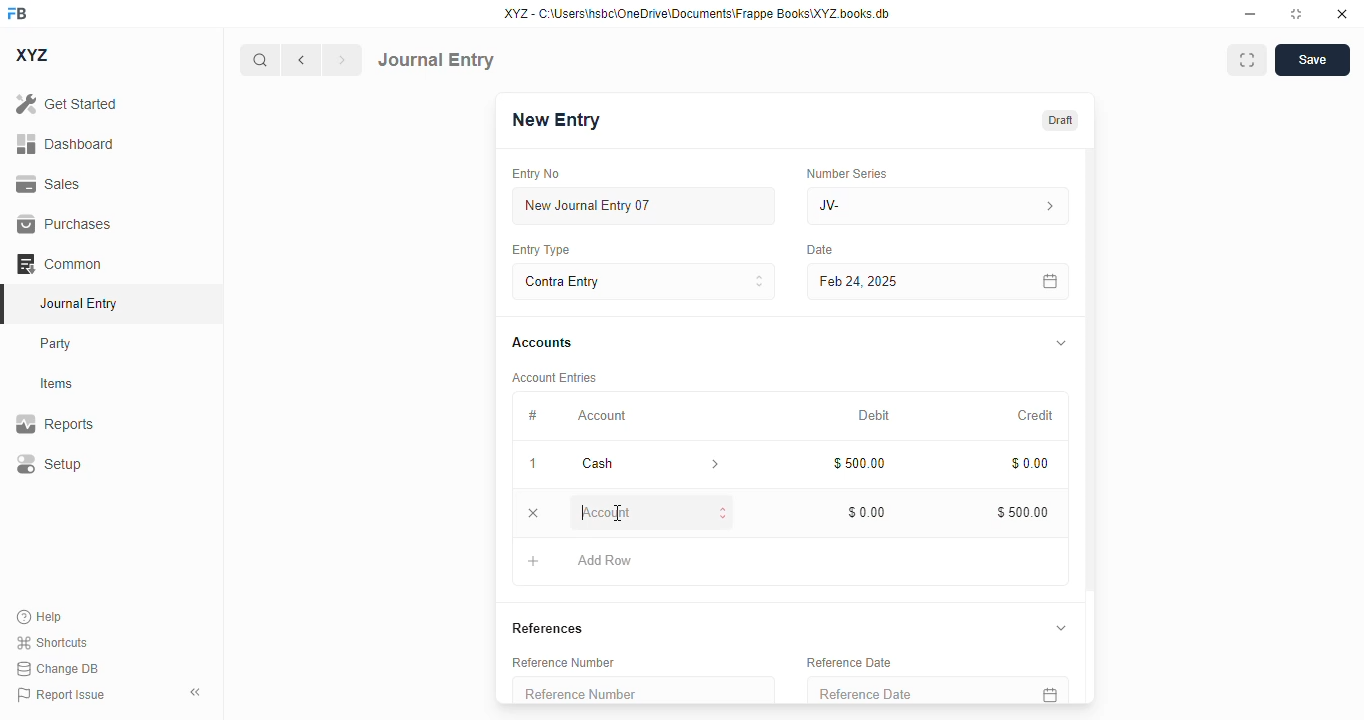  What do you see at coordinates (55, 423) in the screenshot?
I see `reports` at bounding box center [55, 423].